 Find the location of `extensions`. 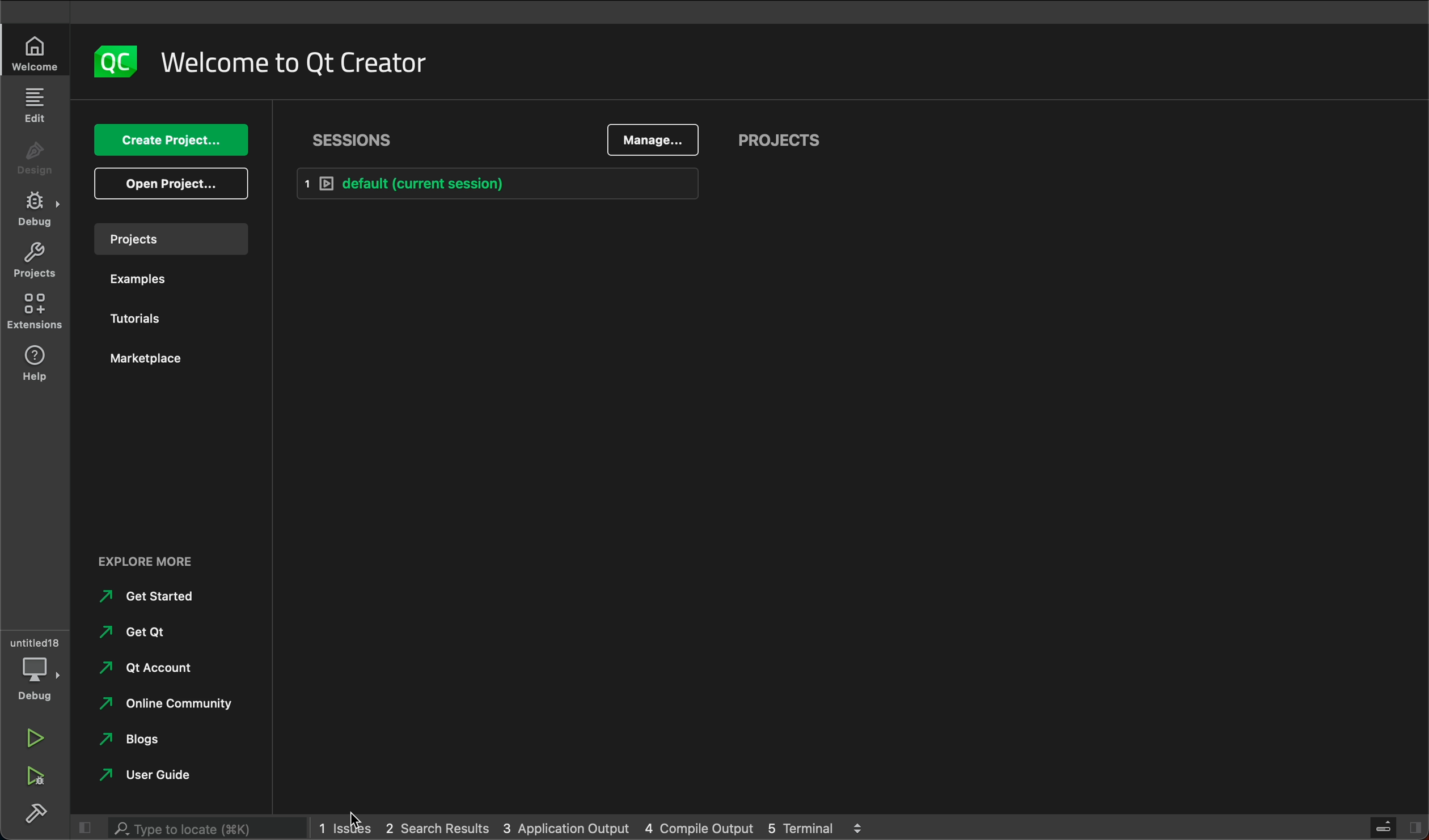

extensions is located at coordinates (32, 313).